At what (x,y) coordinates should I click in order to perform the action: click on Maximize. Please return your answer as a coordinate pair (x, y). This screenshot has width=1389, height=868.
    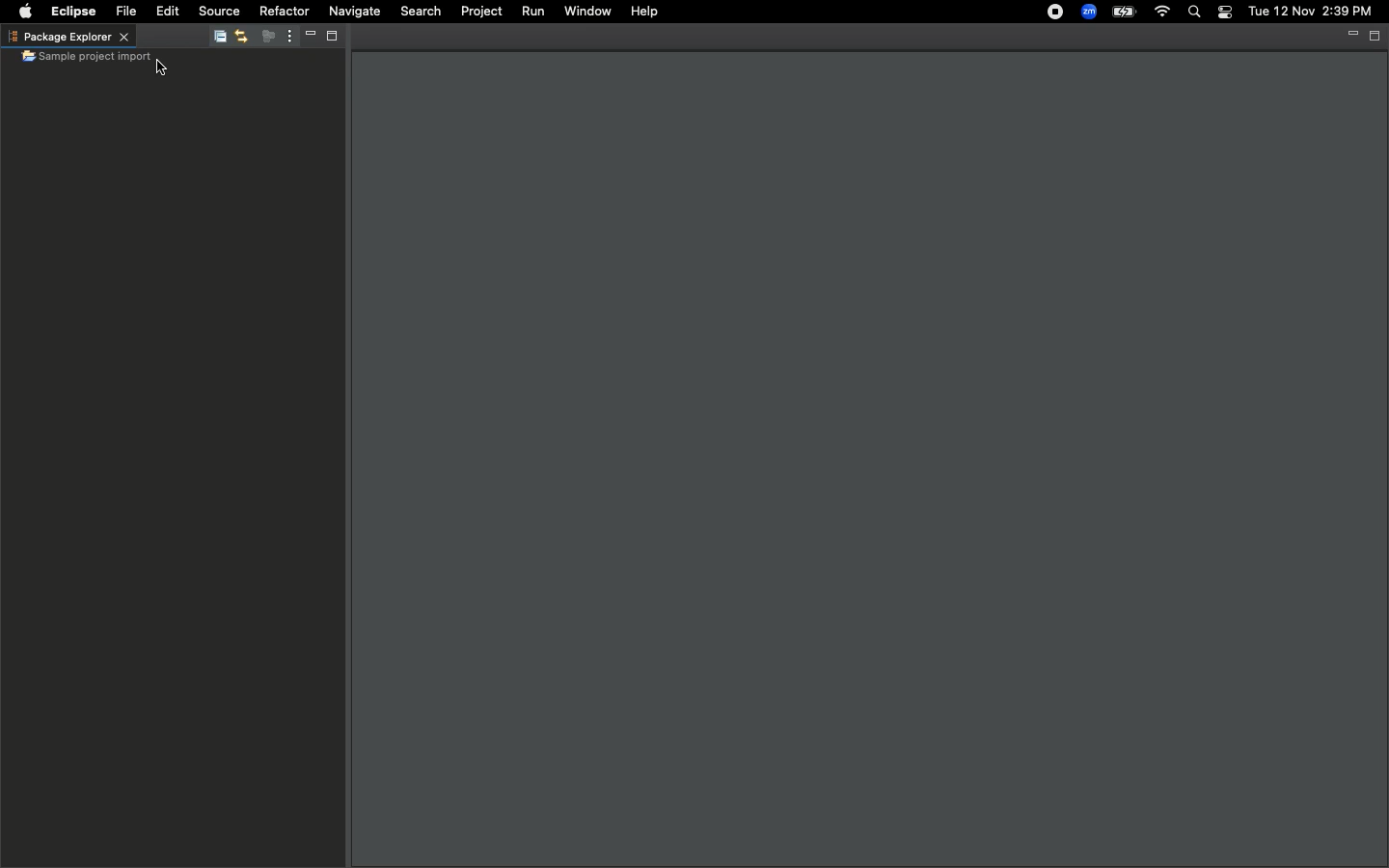
    Looking at the image, I should click on (330, 39).